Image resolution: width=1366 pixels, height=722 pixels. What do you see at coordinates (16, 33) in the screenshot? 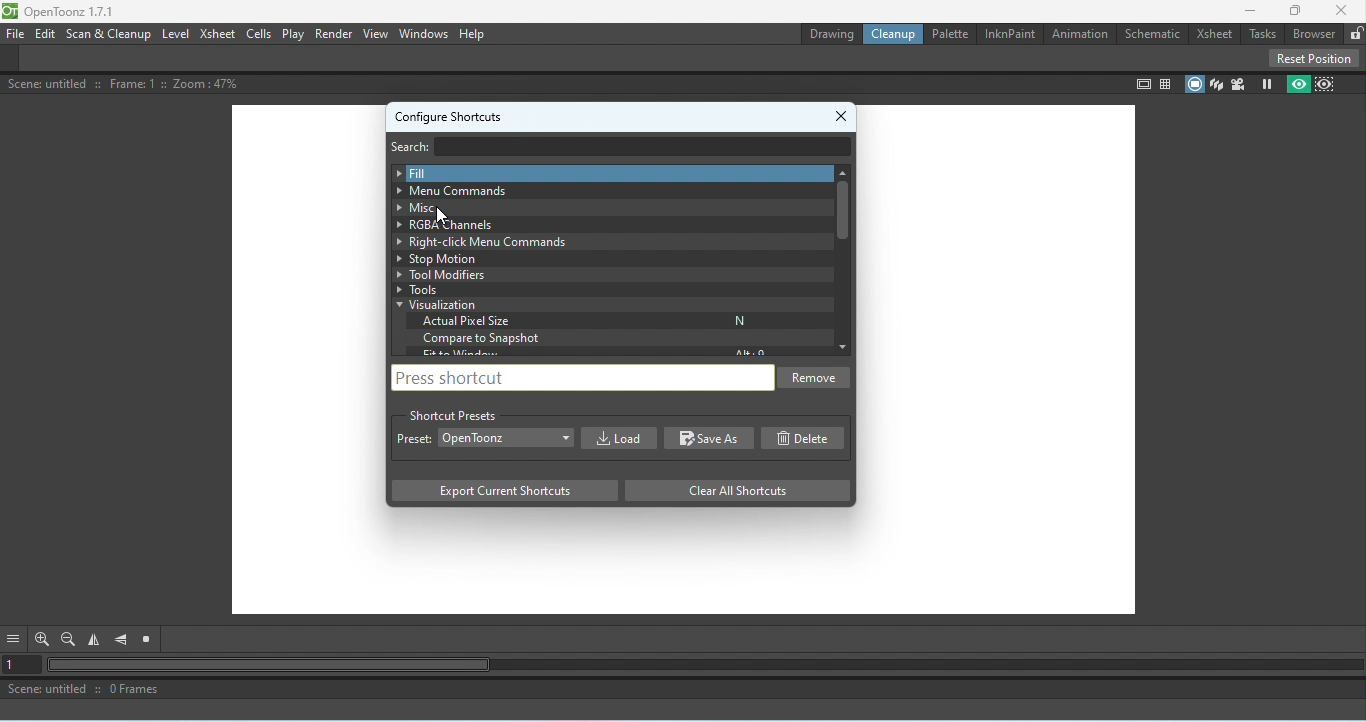
I see `File` at bounding box center [16, 33].